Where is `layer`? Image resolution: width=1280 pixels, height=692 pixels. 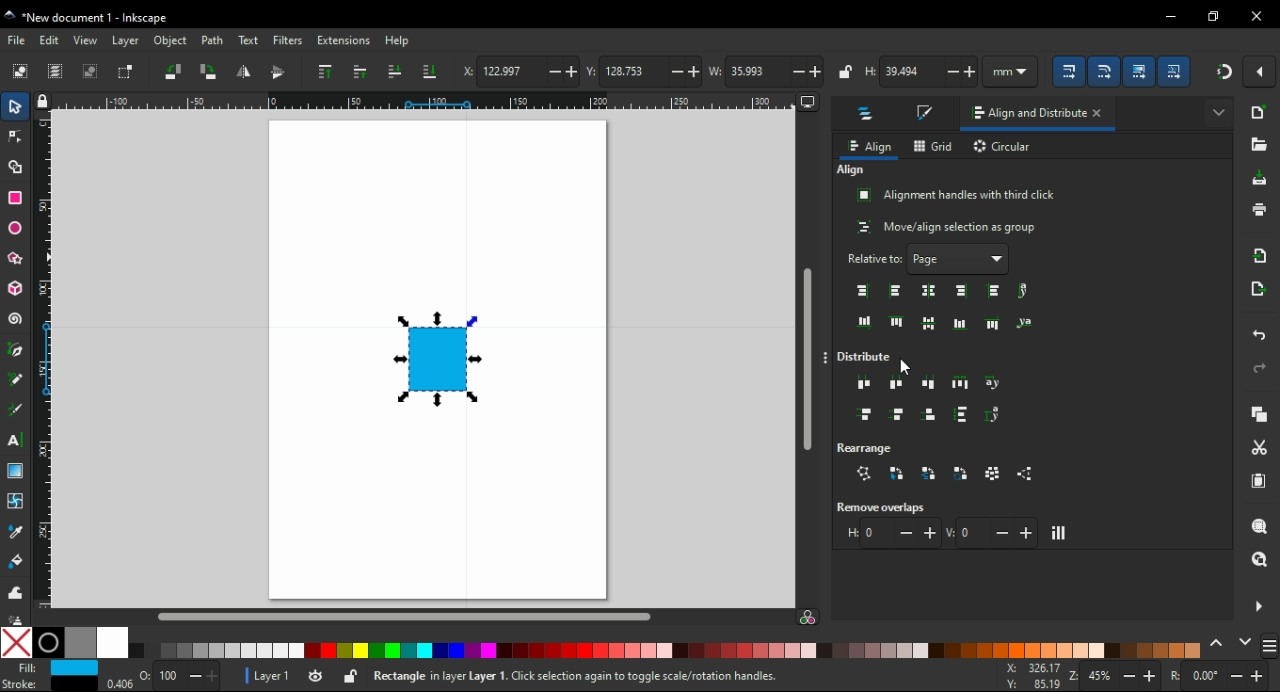
layer is located at coordinates (265, 675).